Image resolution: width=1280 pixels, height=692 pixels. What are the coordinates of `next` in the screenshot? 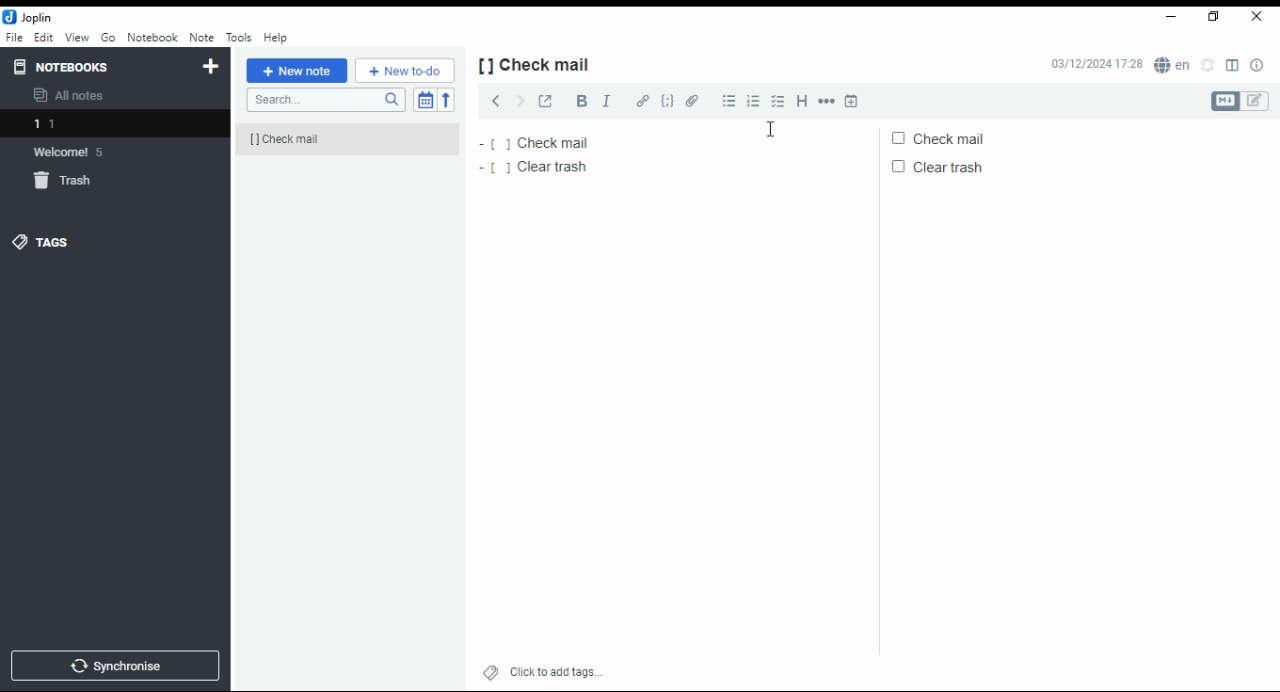 It's located at (520, 100).